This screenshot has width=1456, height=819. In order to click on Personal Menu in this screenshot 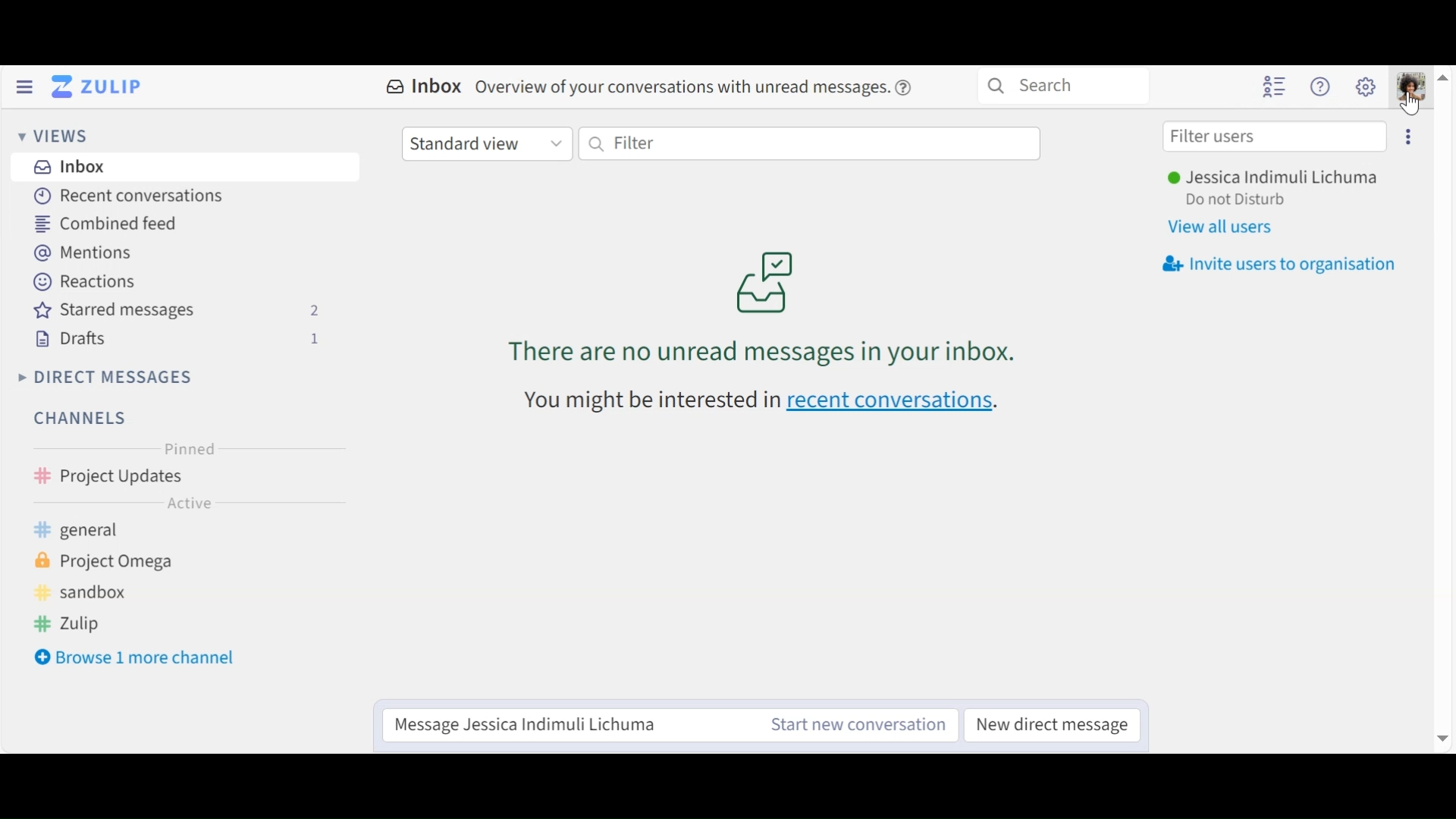, I will do `click(1411, 86)`.